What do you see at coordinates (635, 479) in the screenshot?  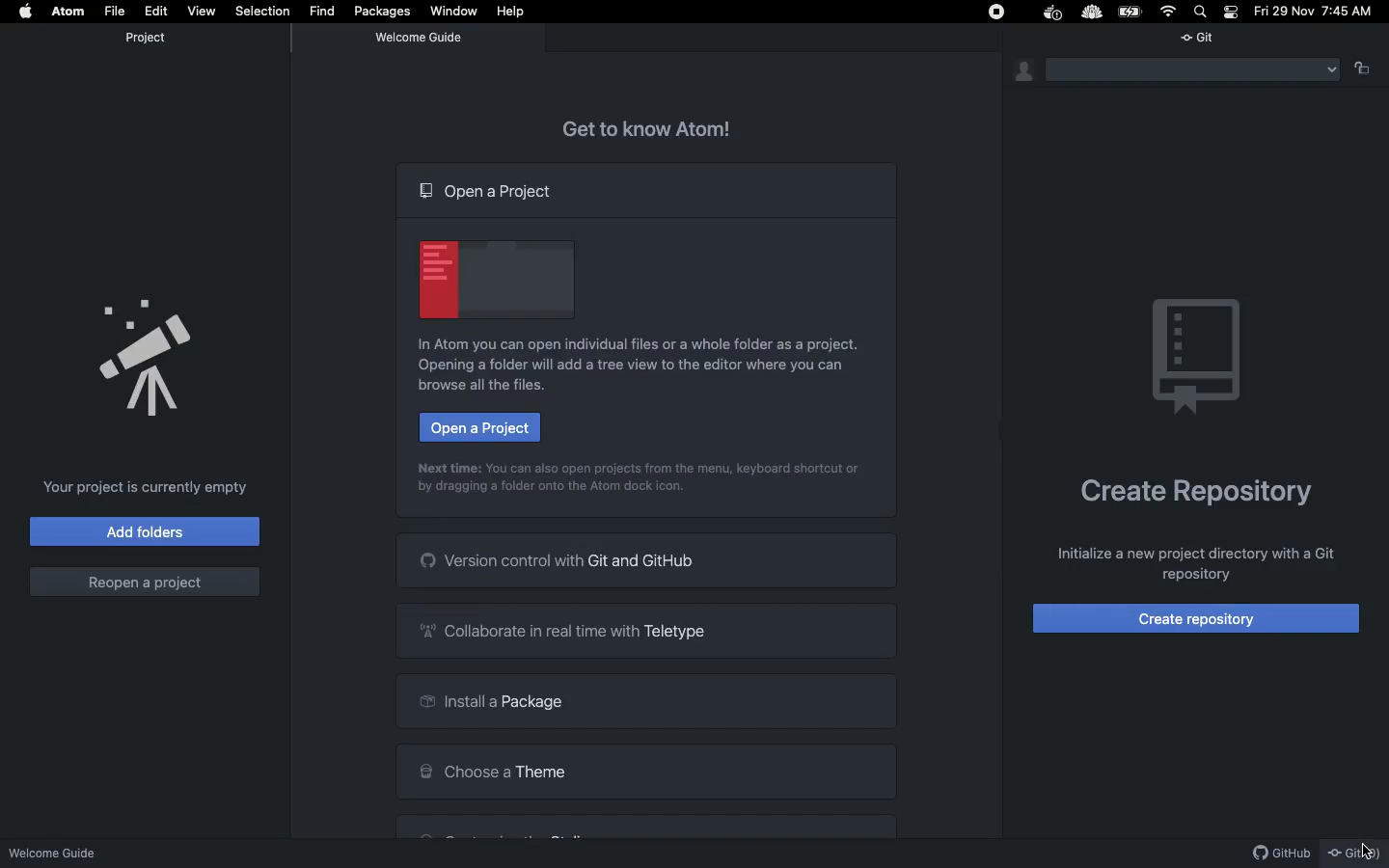 I see `Next time: You can also open projects from the menu, keyboard shortcut or
by dragging a folder onto the Atom dock icon.` at bounding box center [635, 479].